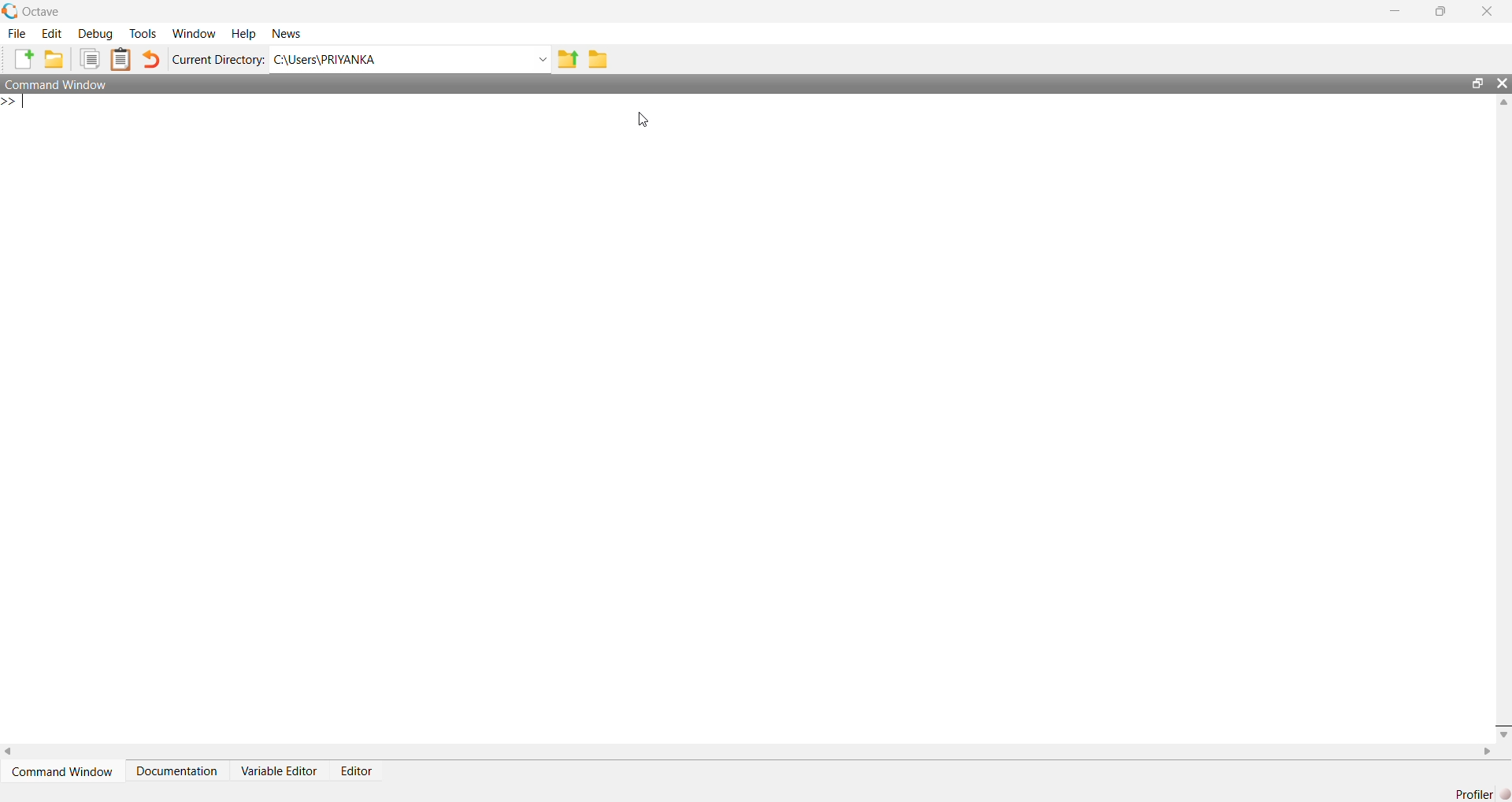  I want to click on close, so click(1502, 83).